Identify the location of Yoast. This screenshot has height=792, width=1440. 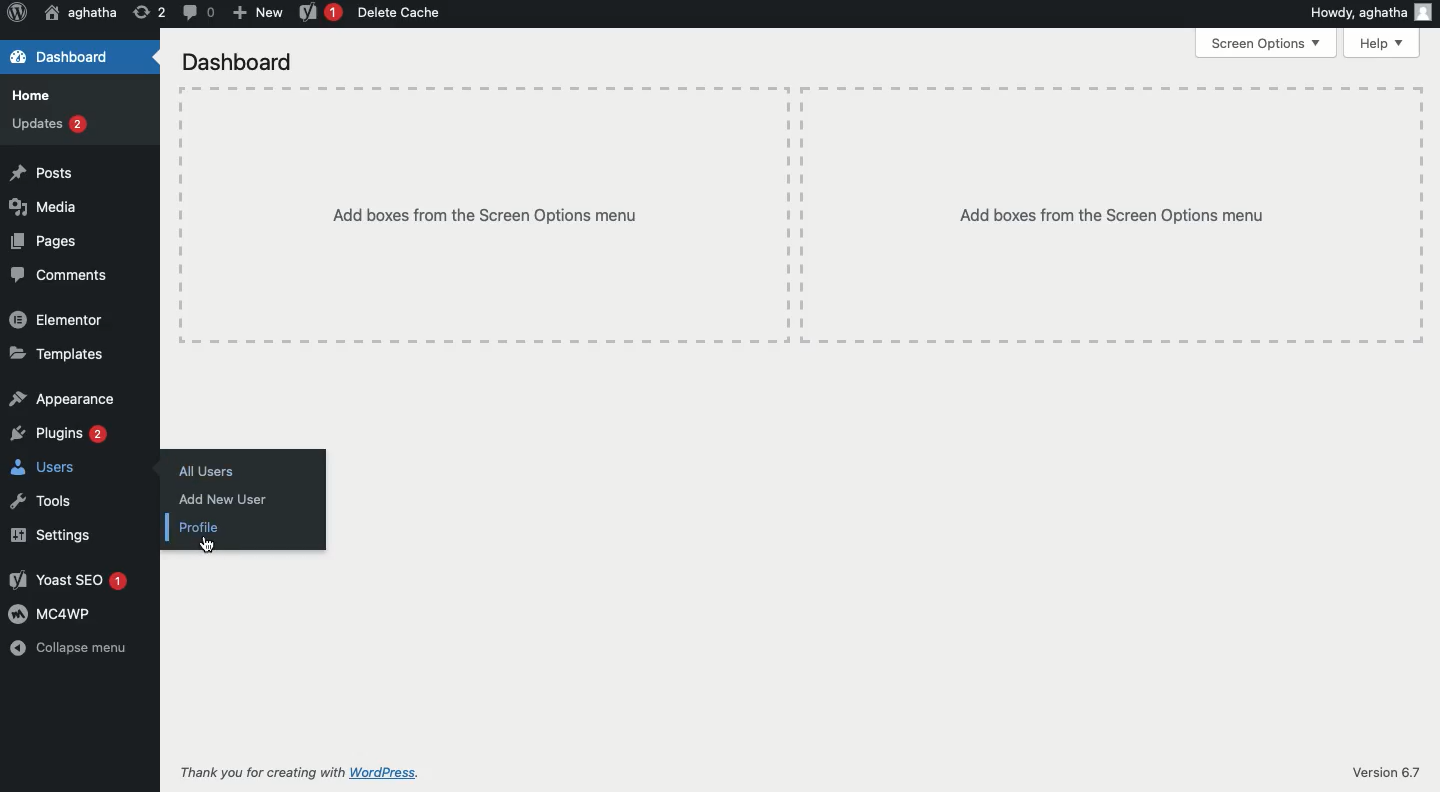
(321, 14).